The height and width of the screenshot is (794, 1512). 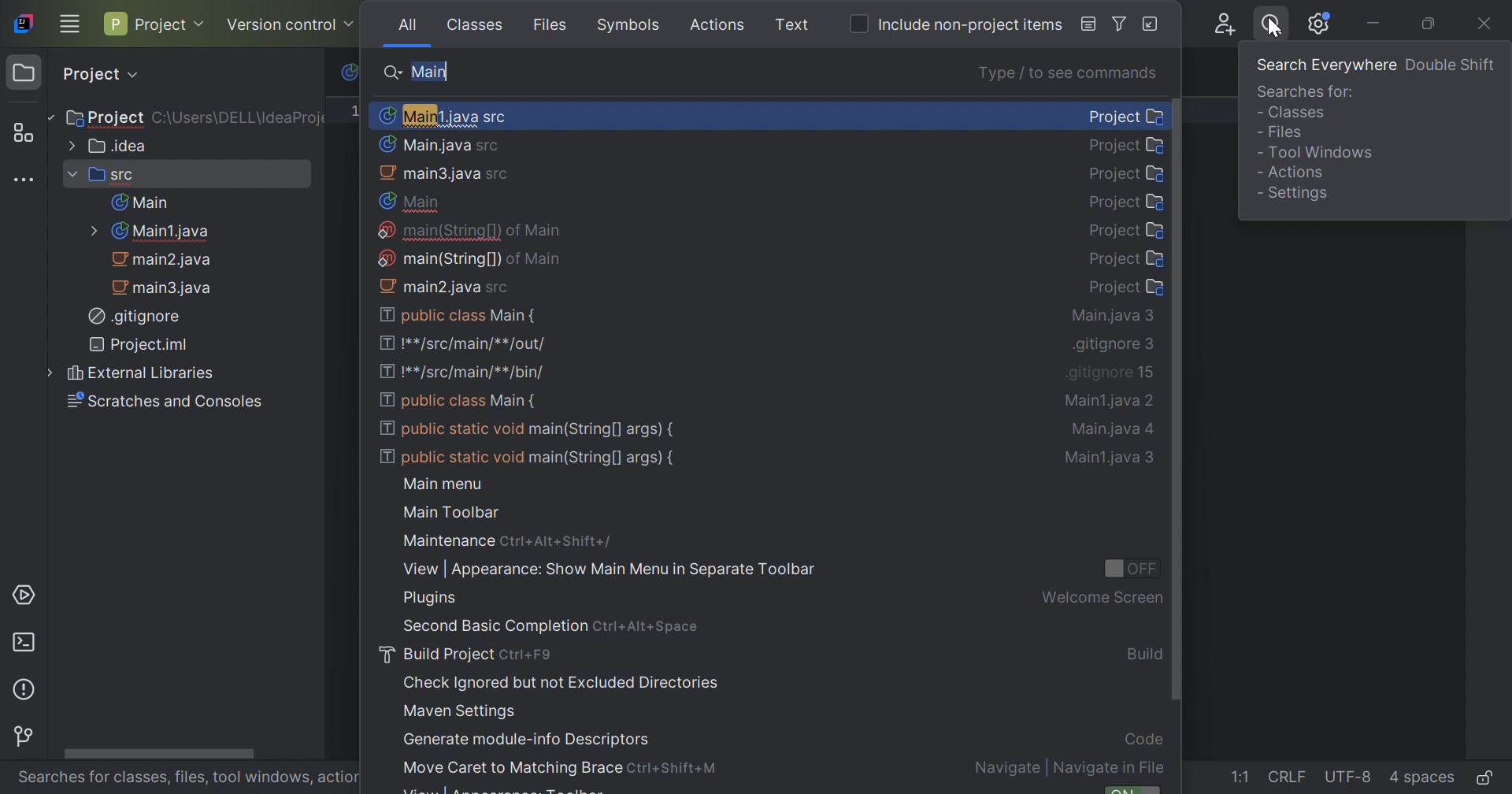 What do you see at coordinates (28, 692) in the screenshot?
I see `Problems` at bounding box center [28, 692].